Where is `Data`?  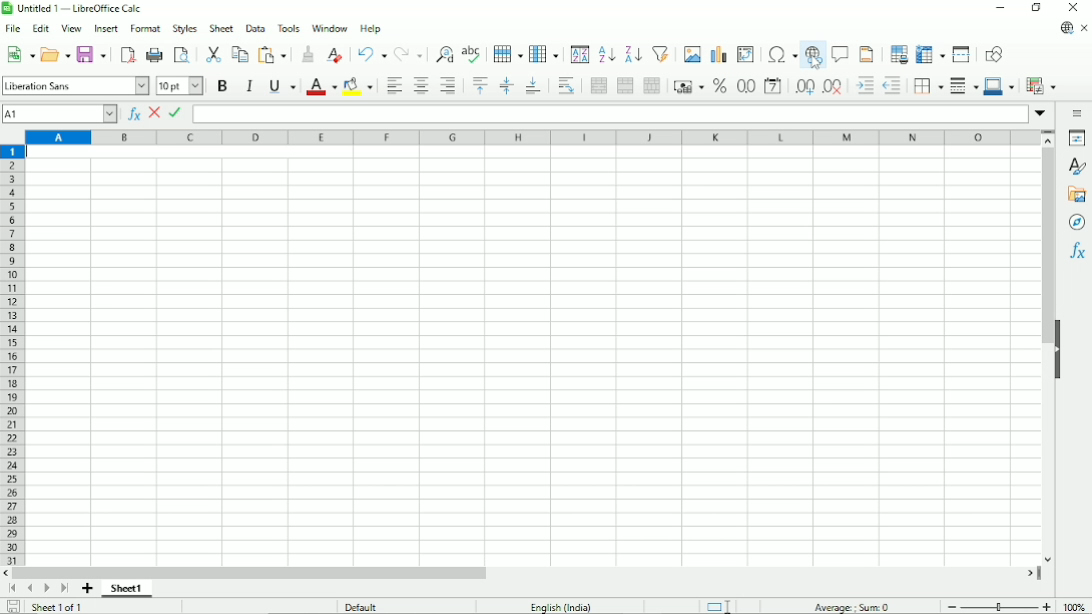
Data is located at coordinates (256, 27).